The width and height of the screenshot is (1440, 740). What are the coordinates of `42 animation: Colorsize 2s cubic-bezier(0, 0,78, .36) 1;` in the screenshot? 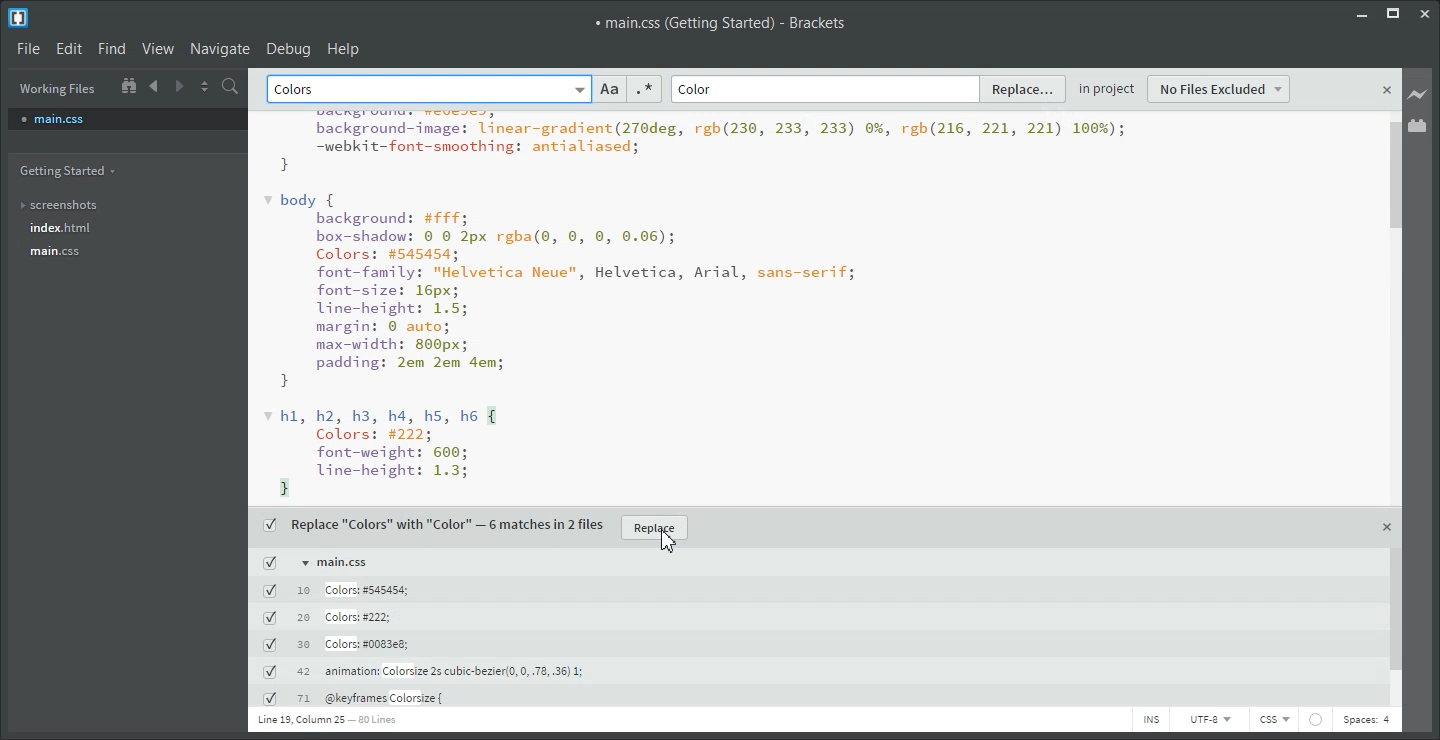 It's located at (422, 671).